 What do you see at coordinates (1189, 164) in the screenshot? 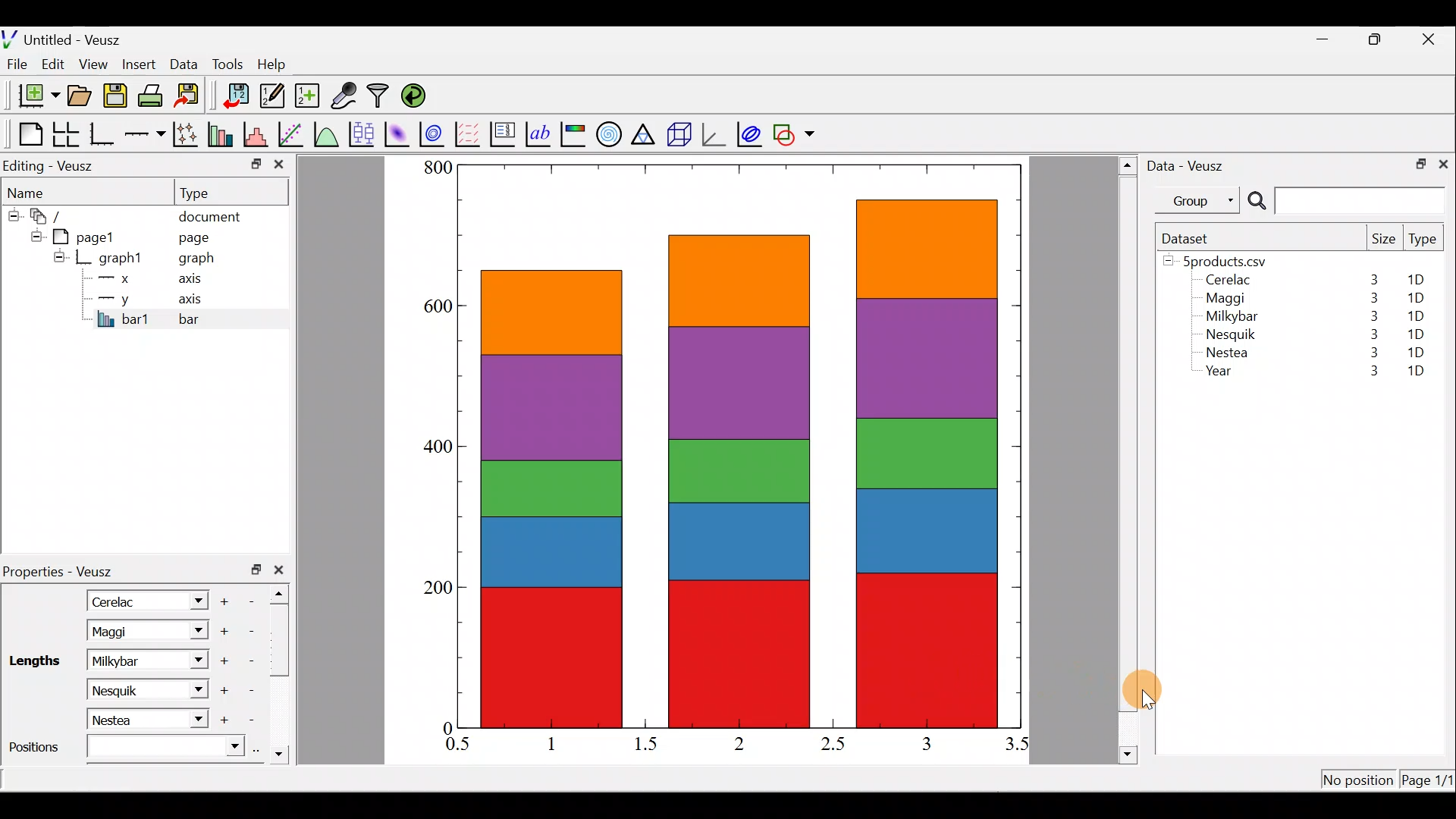
I see `Data - Veusz` at bounding box center [1189, 164].